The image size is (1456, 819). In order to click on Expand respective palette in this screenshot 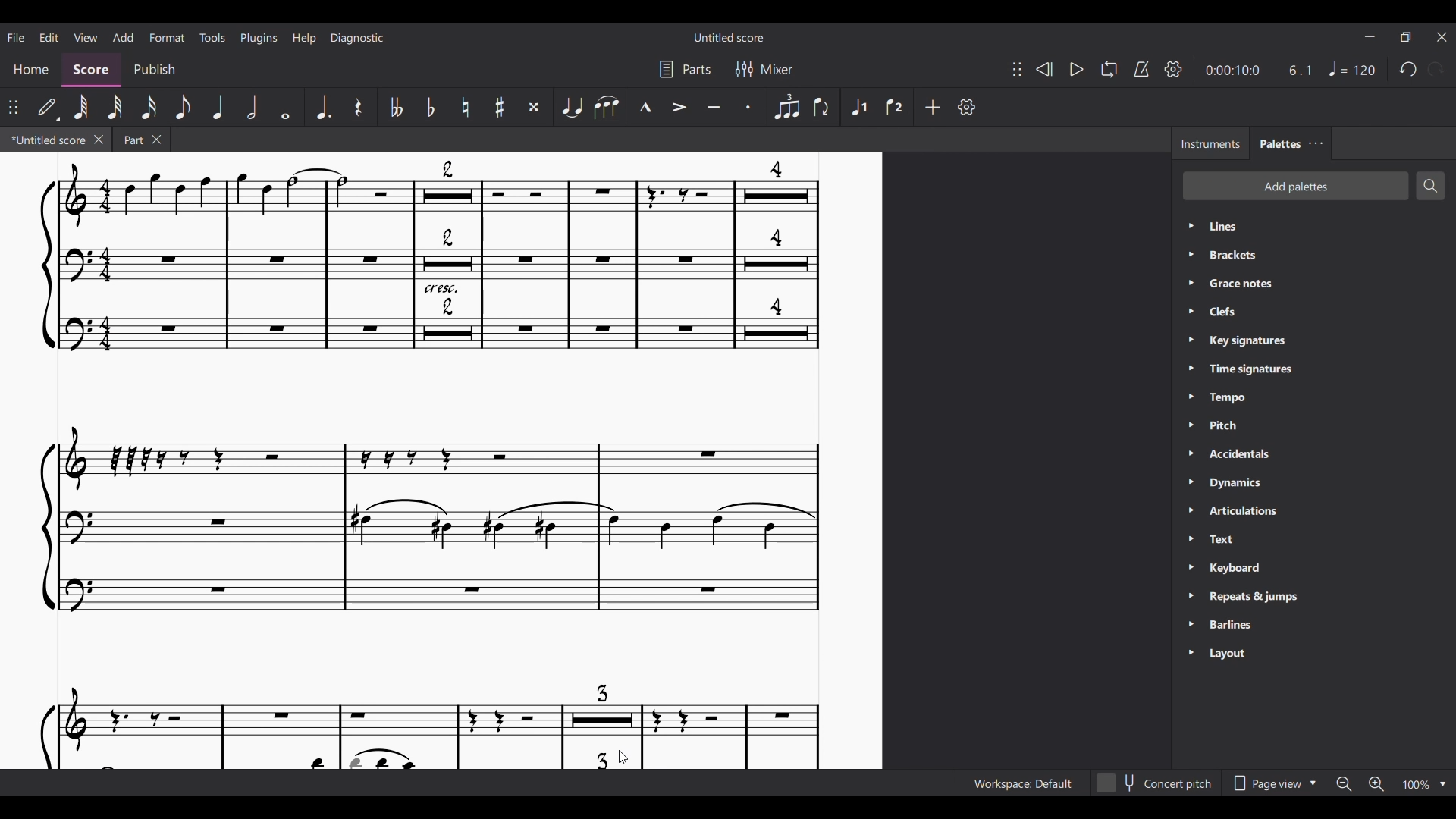, I will do `click(1190, 441)`.